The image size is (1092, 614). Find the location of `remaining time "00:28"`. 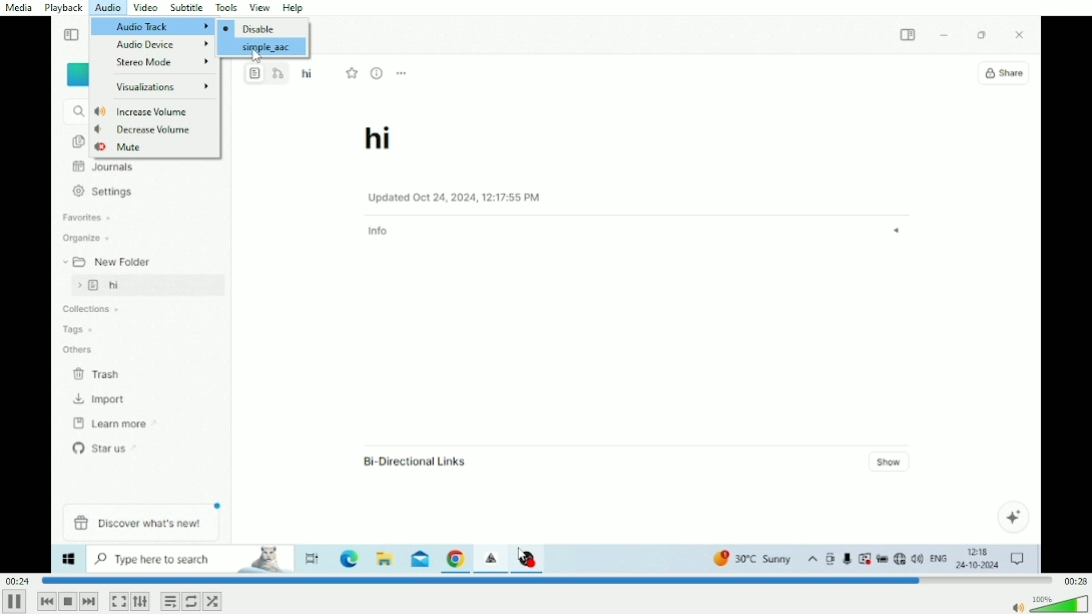

remaining time "00:28" is located at coordinates (1074, 580).